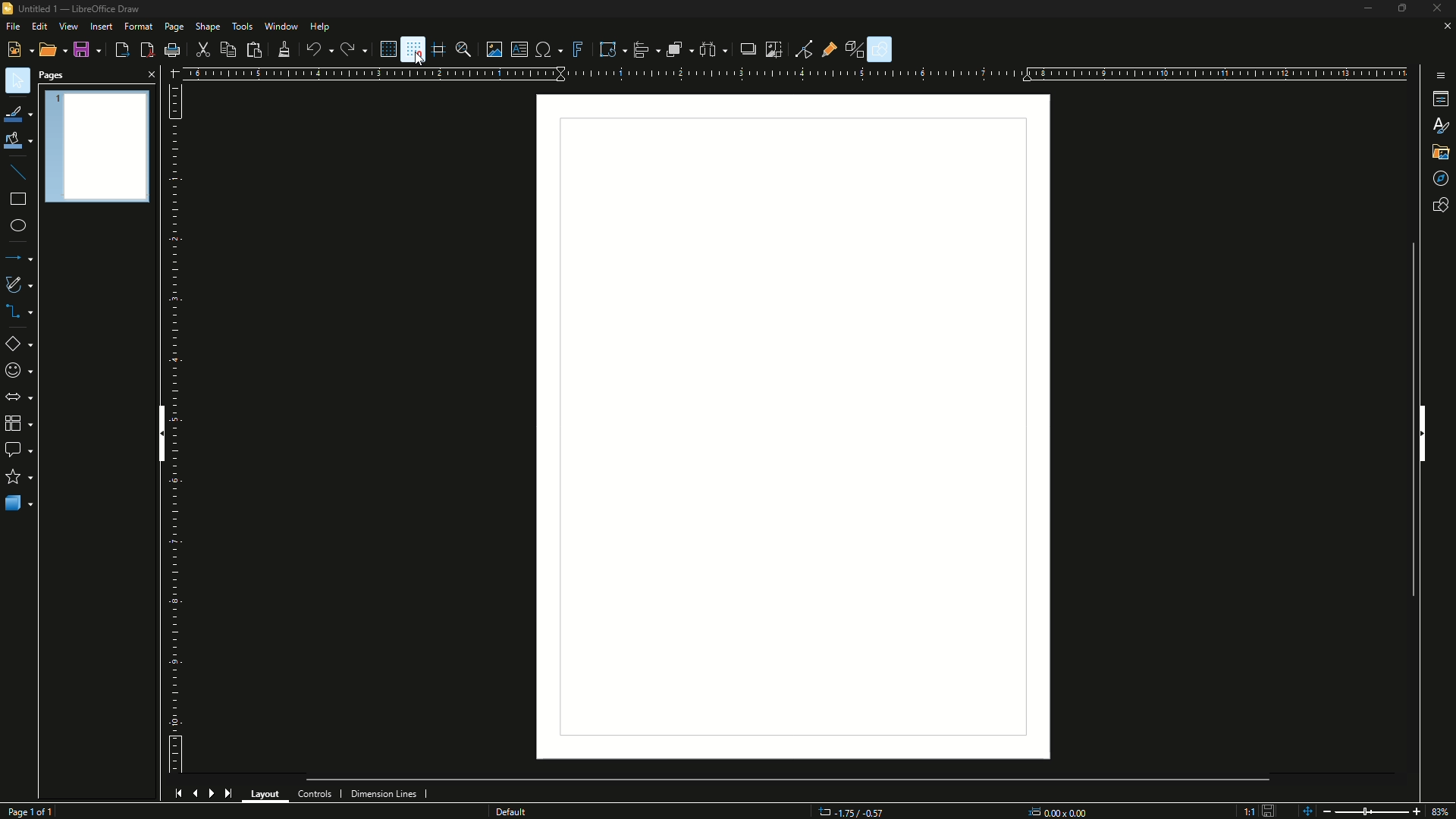 Image resolution: width=1456 pixels, height=819 pixels. I want to click on Insert Line, so click(20, 174).